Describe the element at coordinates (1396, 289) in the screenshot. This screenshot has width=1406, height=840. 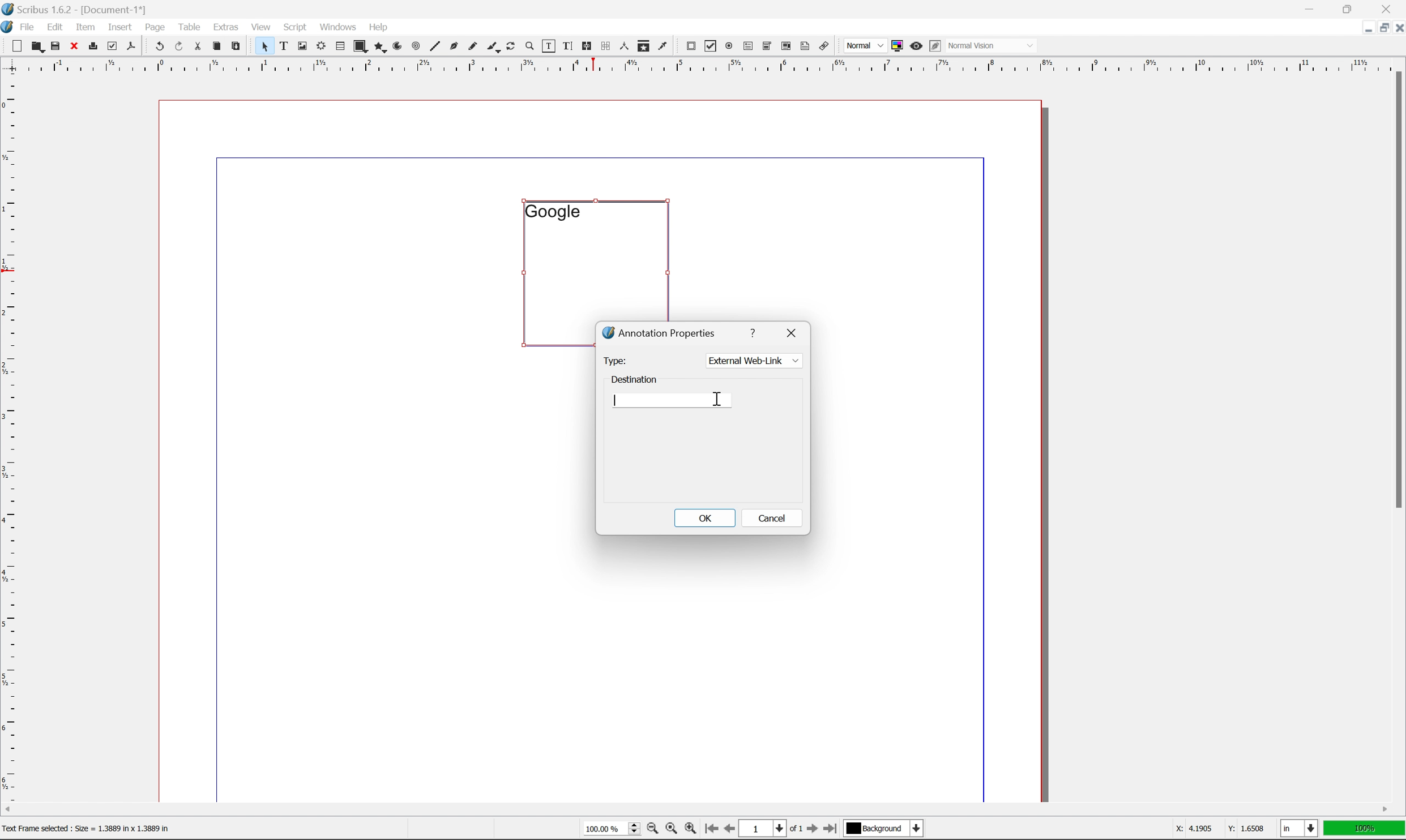
I see `scroll bar` at that location.